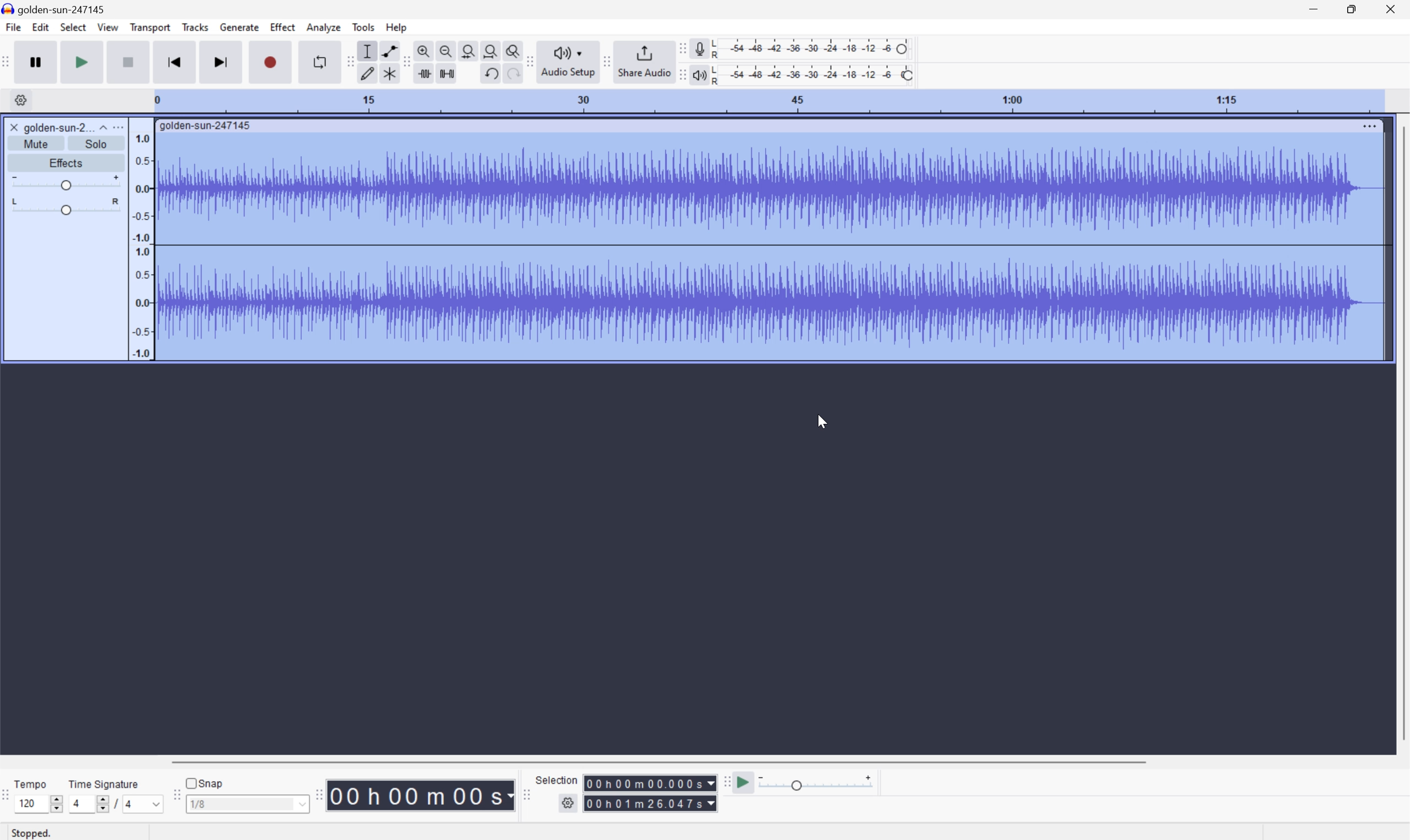 The width and height of the screenshot is (1410, 840). What do you see at coordinates (9, 798) in the screenshot?
I see `Audacity Time Signature Toolbar` at bounding box center [9, 798].